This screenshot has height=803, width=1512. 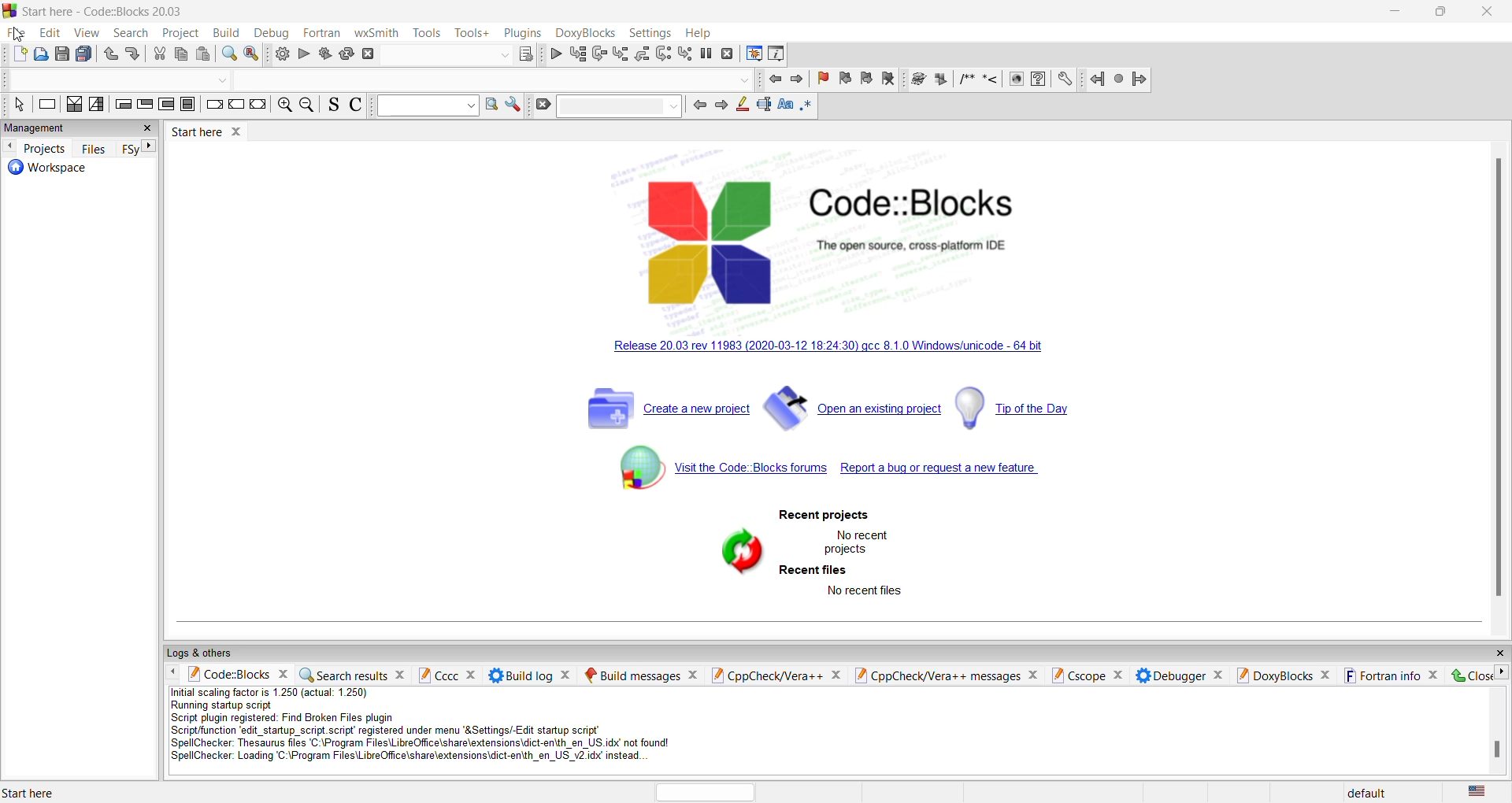 I want to click on Ccc pane, so click(x=436, y=675).